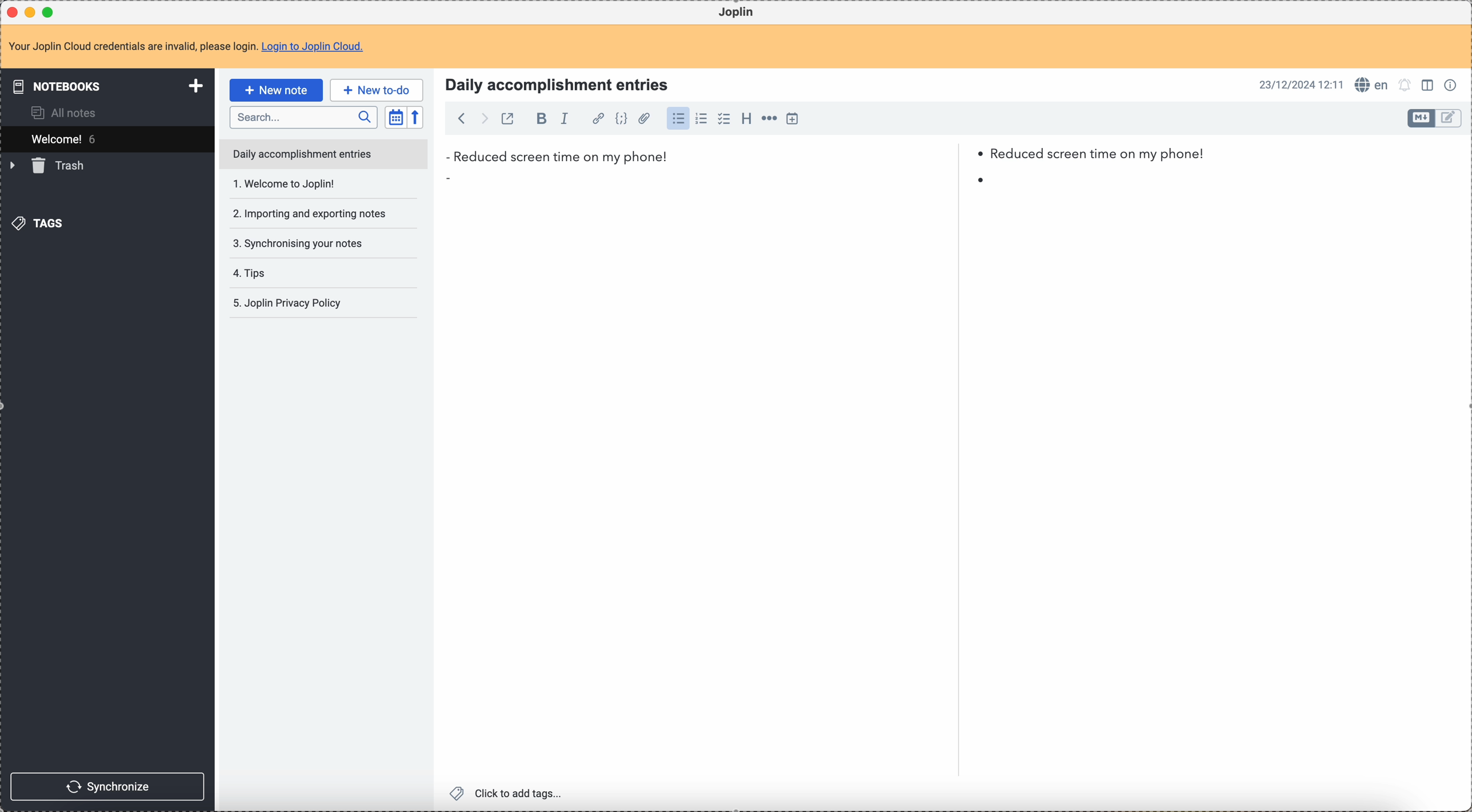  What do you see at coordinates (555, 83) in the screenshot?
I see `Title` at bounding box center [555, 83].